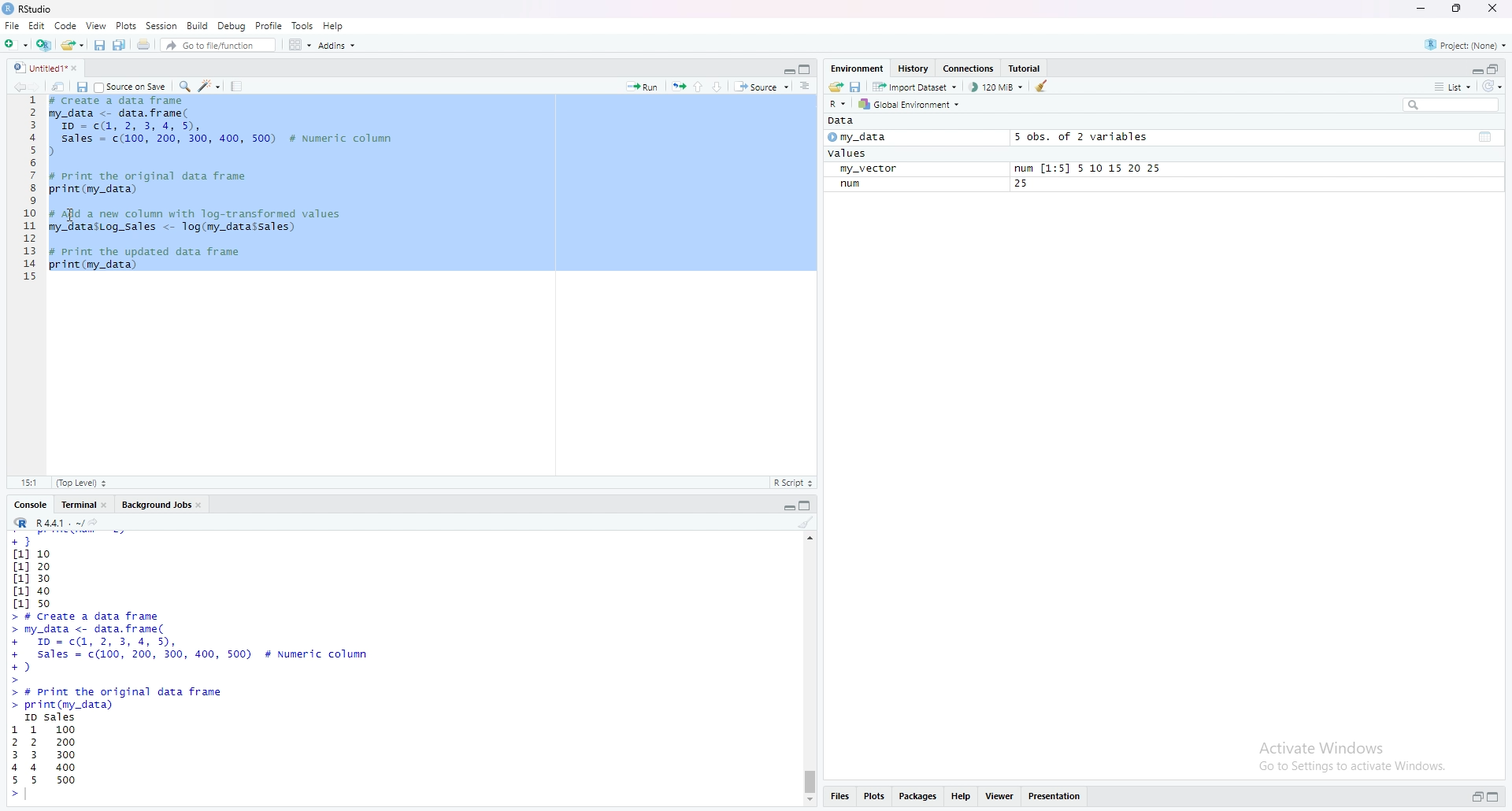  Describe the element at coordinates (805, 69) in the screenshot. I see `maximize` at that location.